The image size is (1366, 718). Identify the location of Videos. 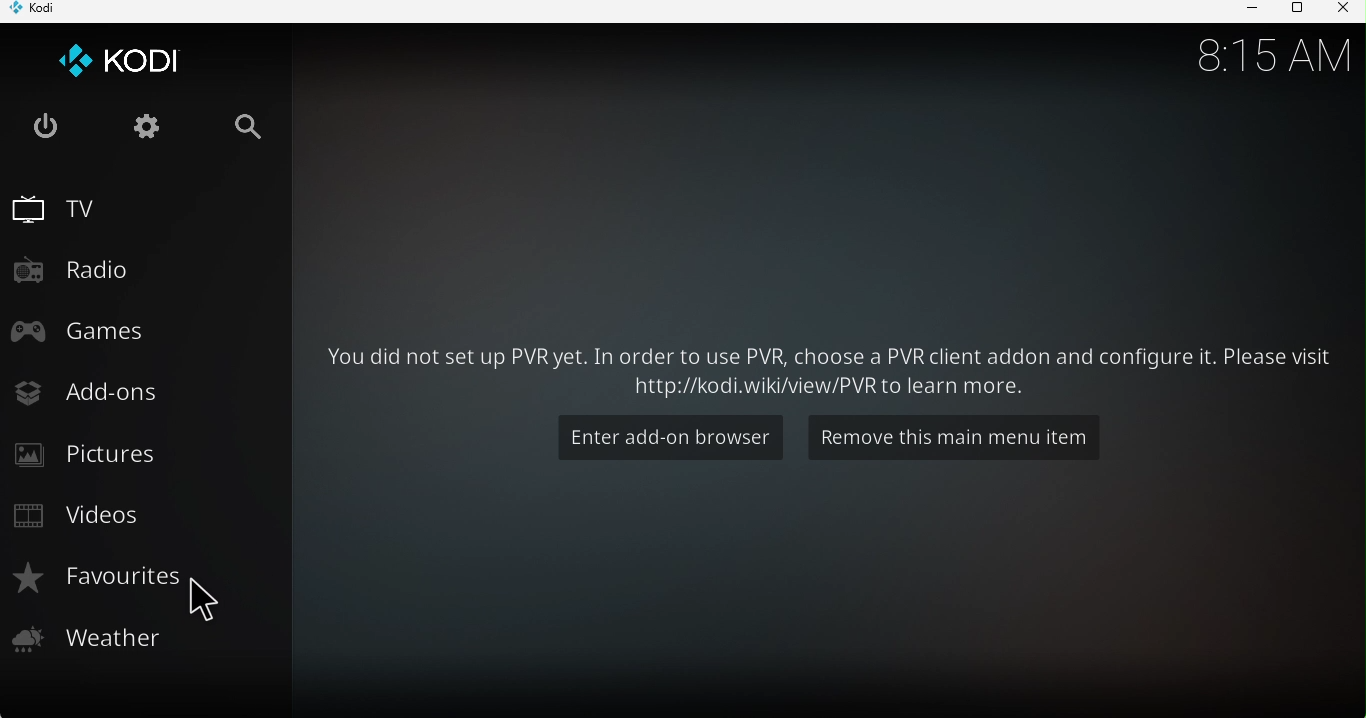
(127, 519).